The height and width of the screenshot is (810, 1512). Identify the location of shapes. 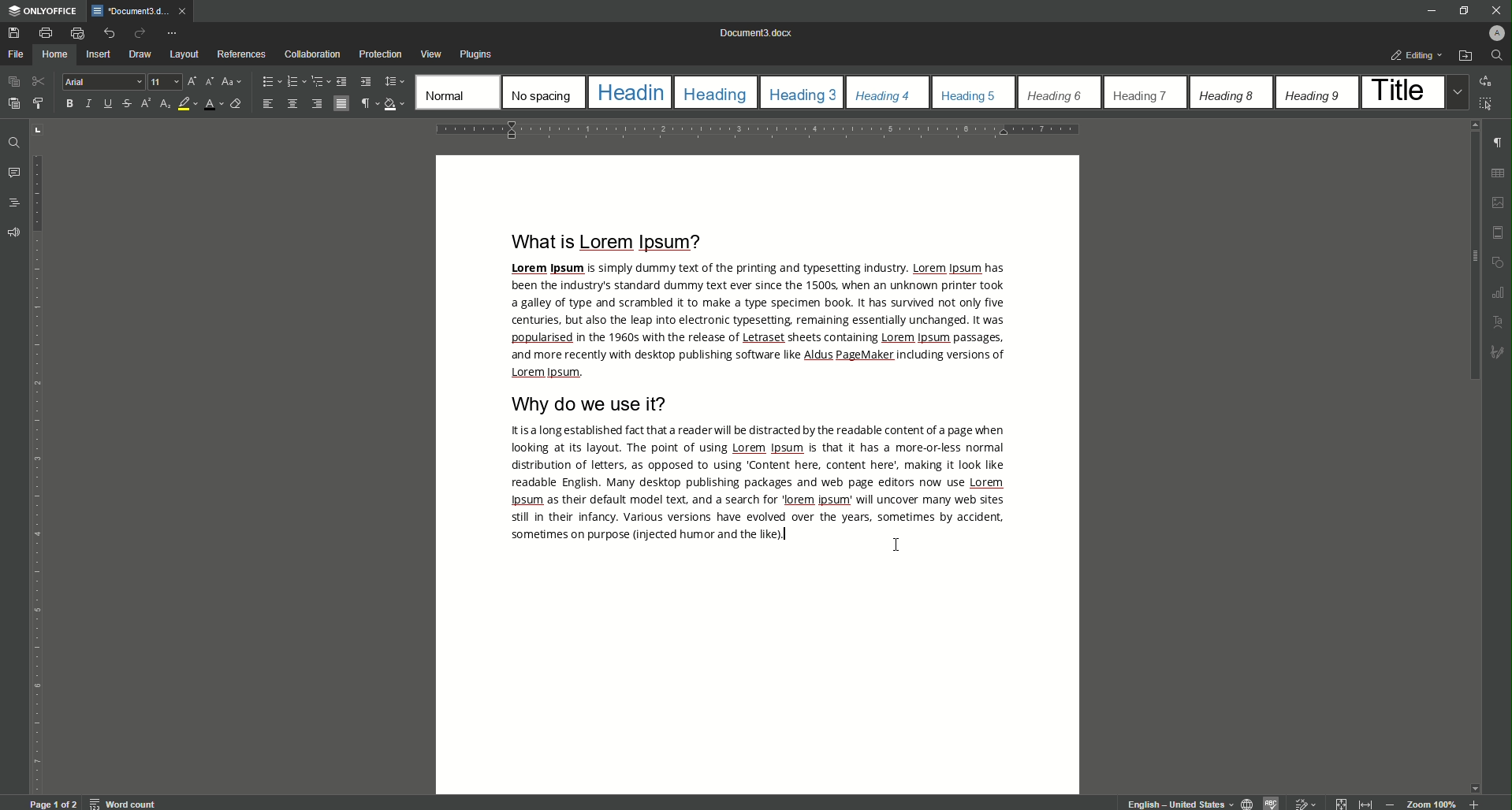
(1499, 260).